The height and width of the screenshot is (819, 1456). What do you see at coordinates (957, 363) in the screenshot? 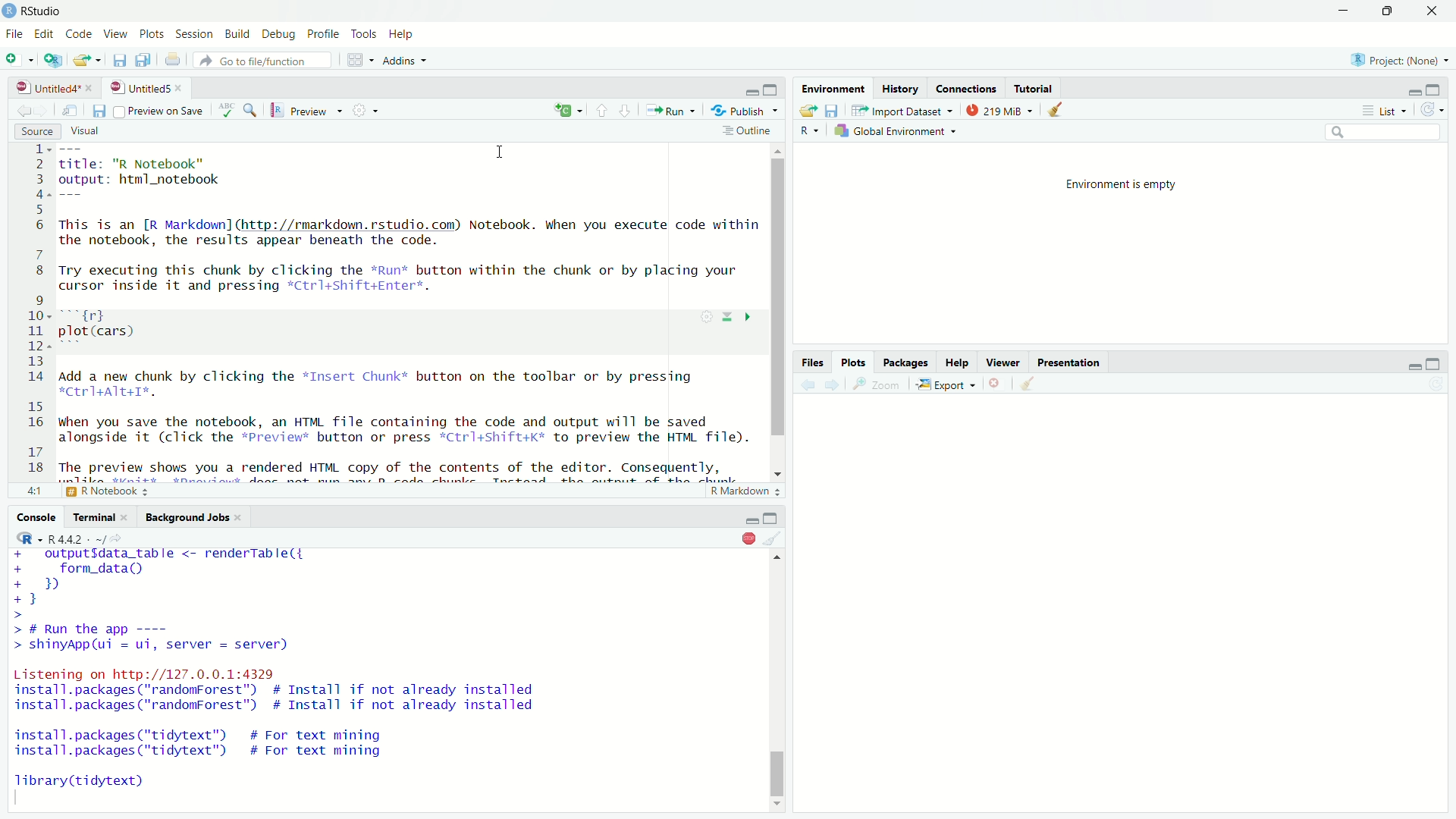
I see `help` at bounding box center [957, 363].